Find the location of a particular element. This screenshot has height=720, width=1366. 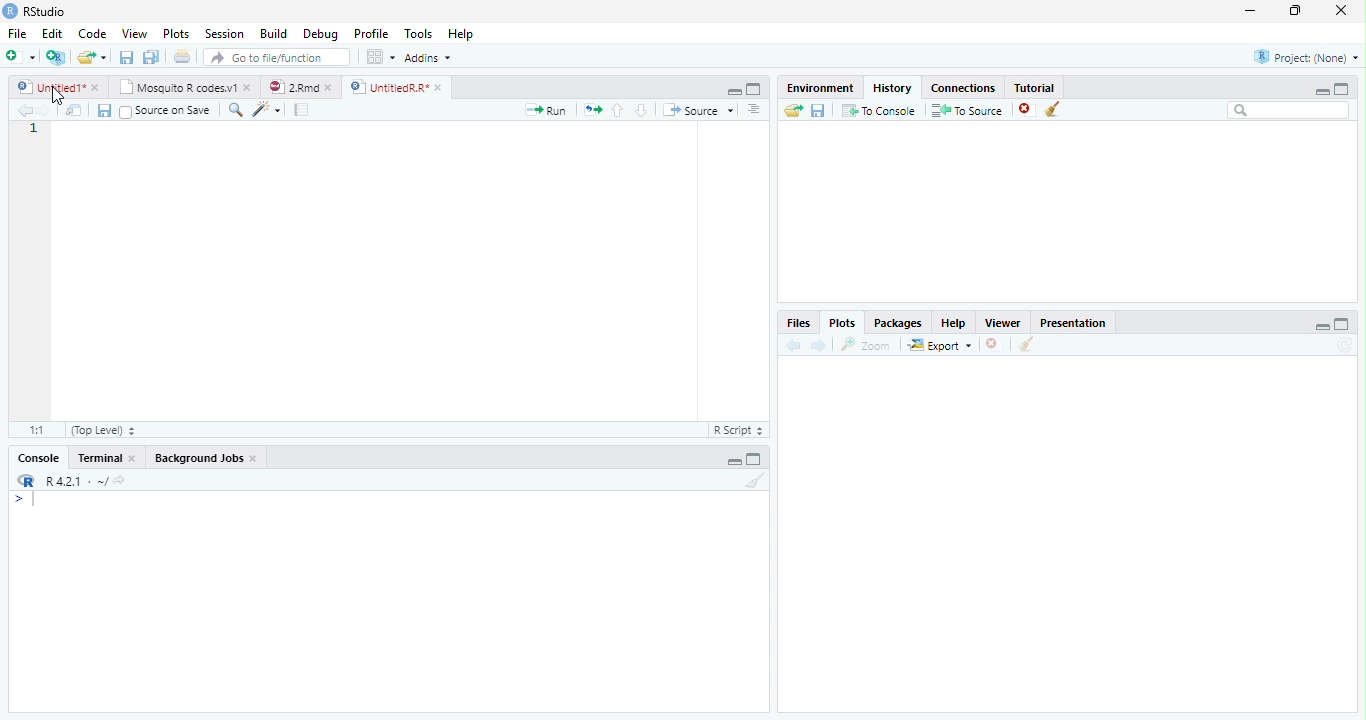

Tutorial is located at coordinates (1034, 86).